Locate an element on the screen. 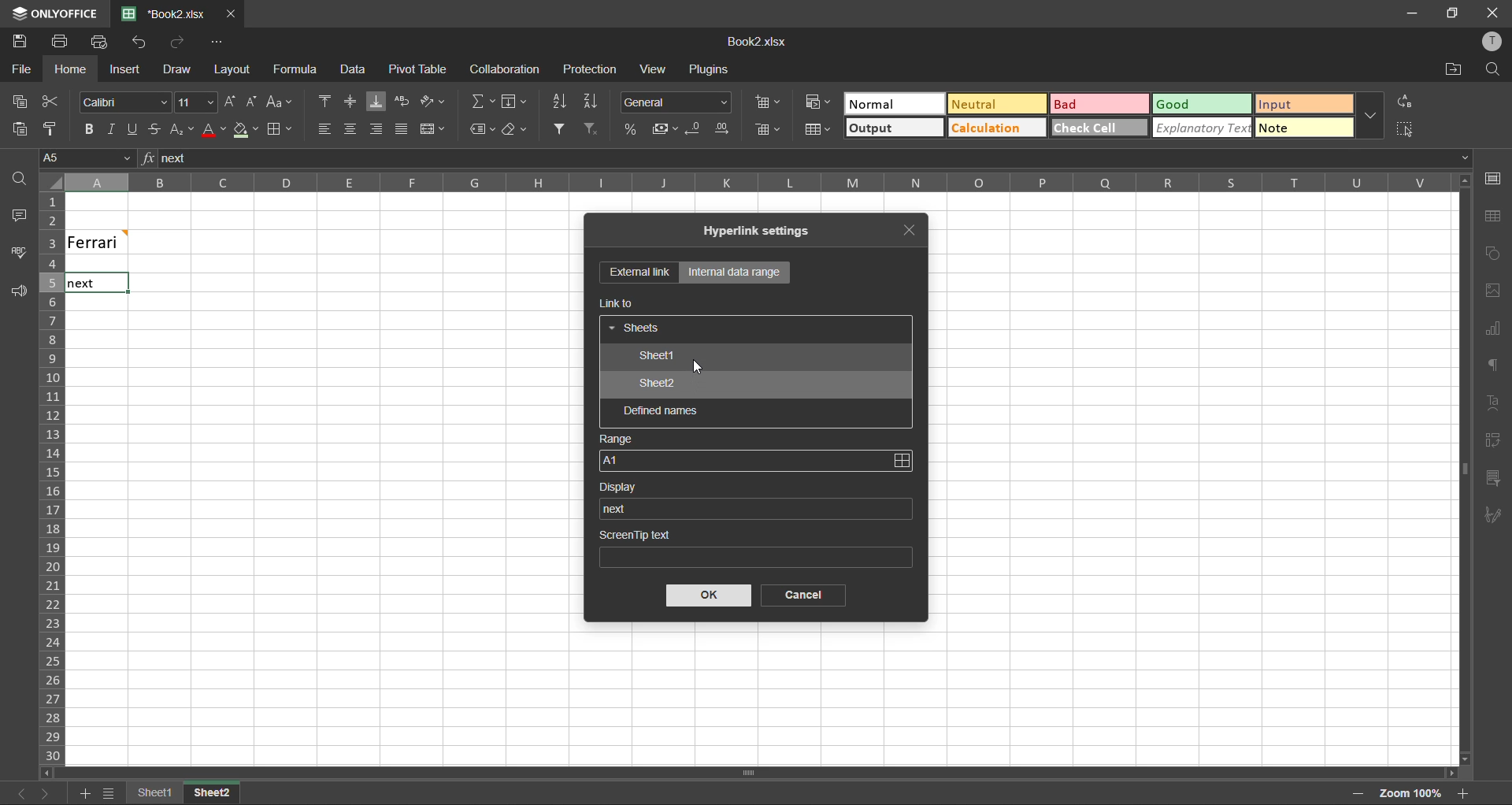 The image size is (1512, 805). close tab is located at coordinates (233, 13).